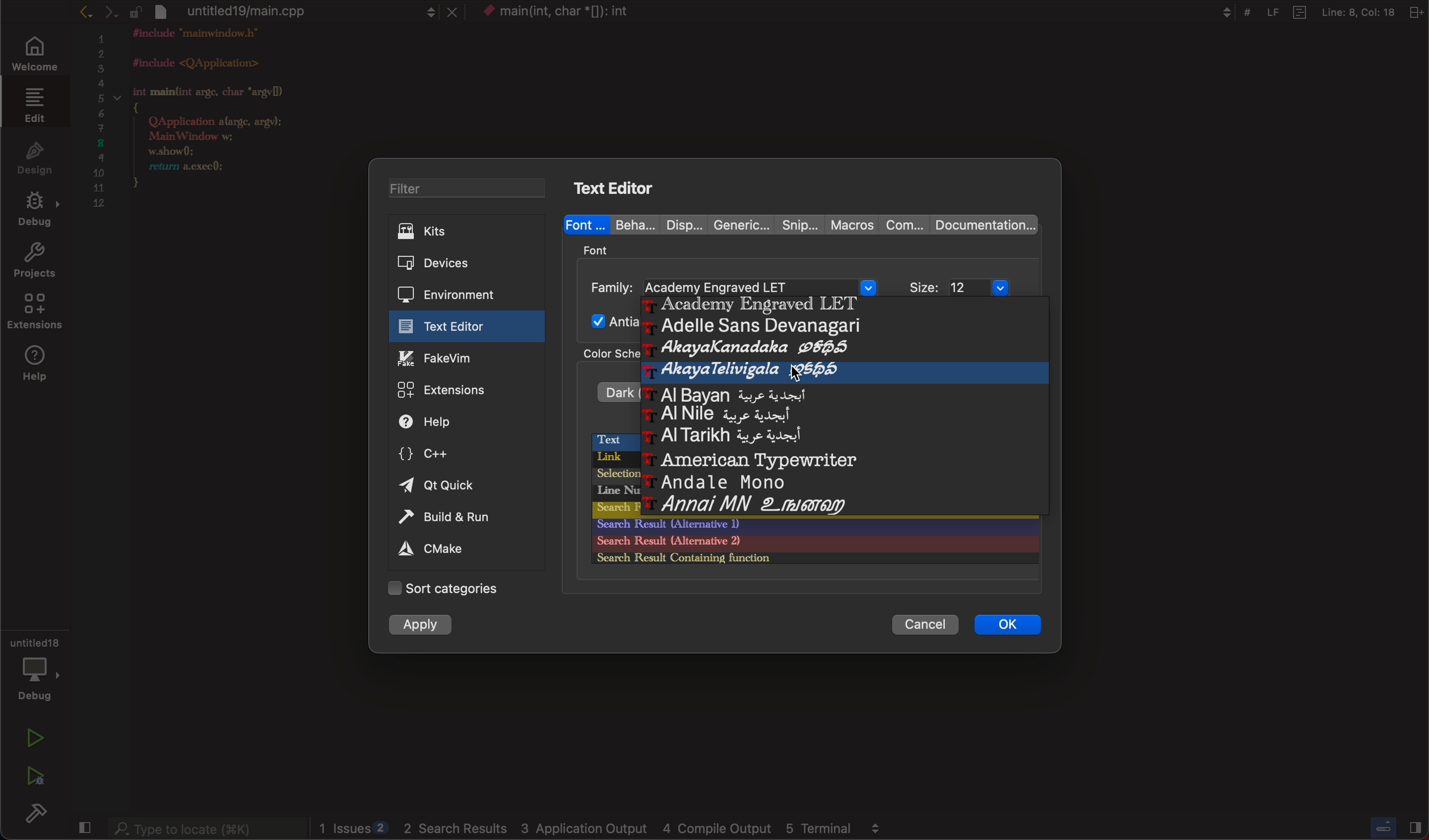 Image resolution: width=1429 pixels, height=840 pixels. I want to click on akaya kanadha, so click(739, 349).